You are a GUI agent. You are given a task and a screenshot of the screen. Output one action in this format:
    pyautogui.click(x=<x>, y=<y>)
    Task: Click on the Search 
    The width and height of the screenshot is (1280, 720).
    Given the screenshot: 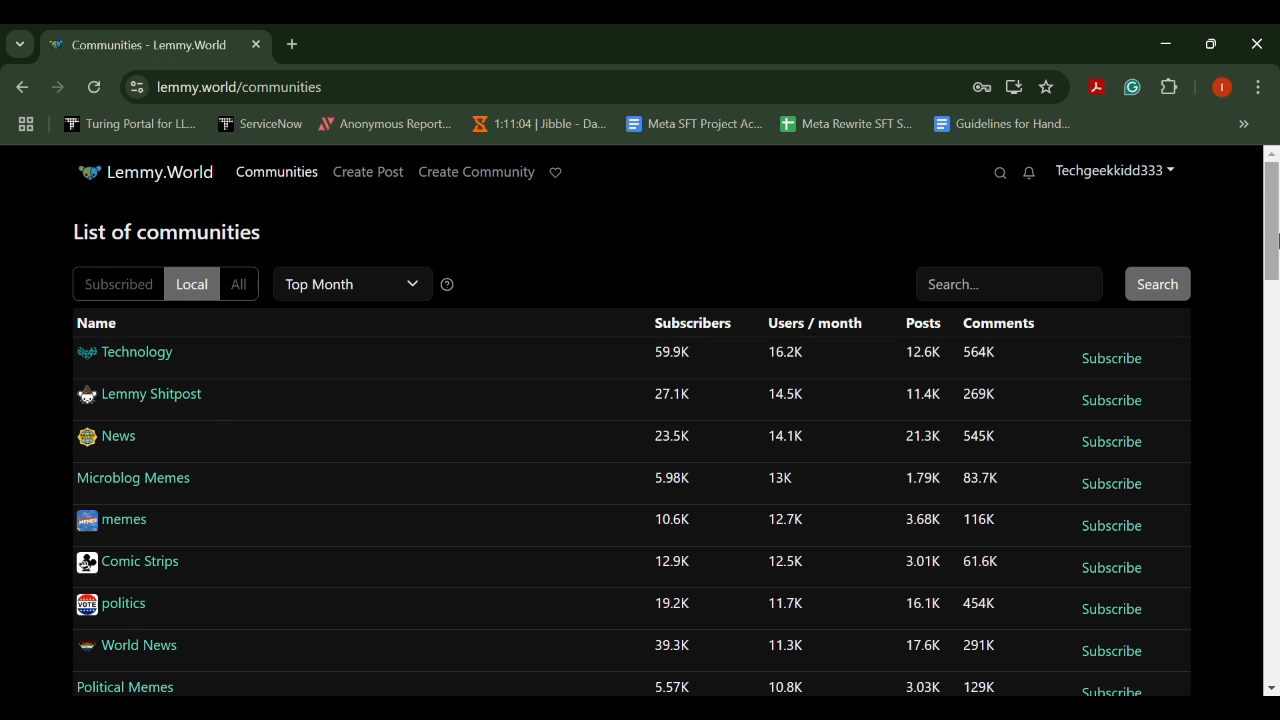 What is the action you would take?
    pyautogui.click(x=1000, y=173)
    